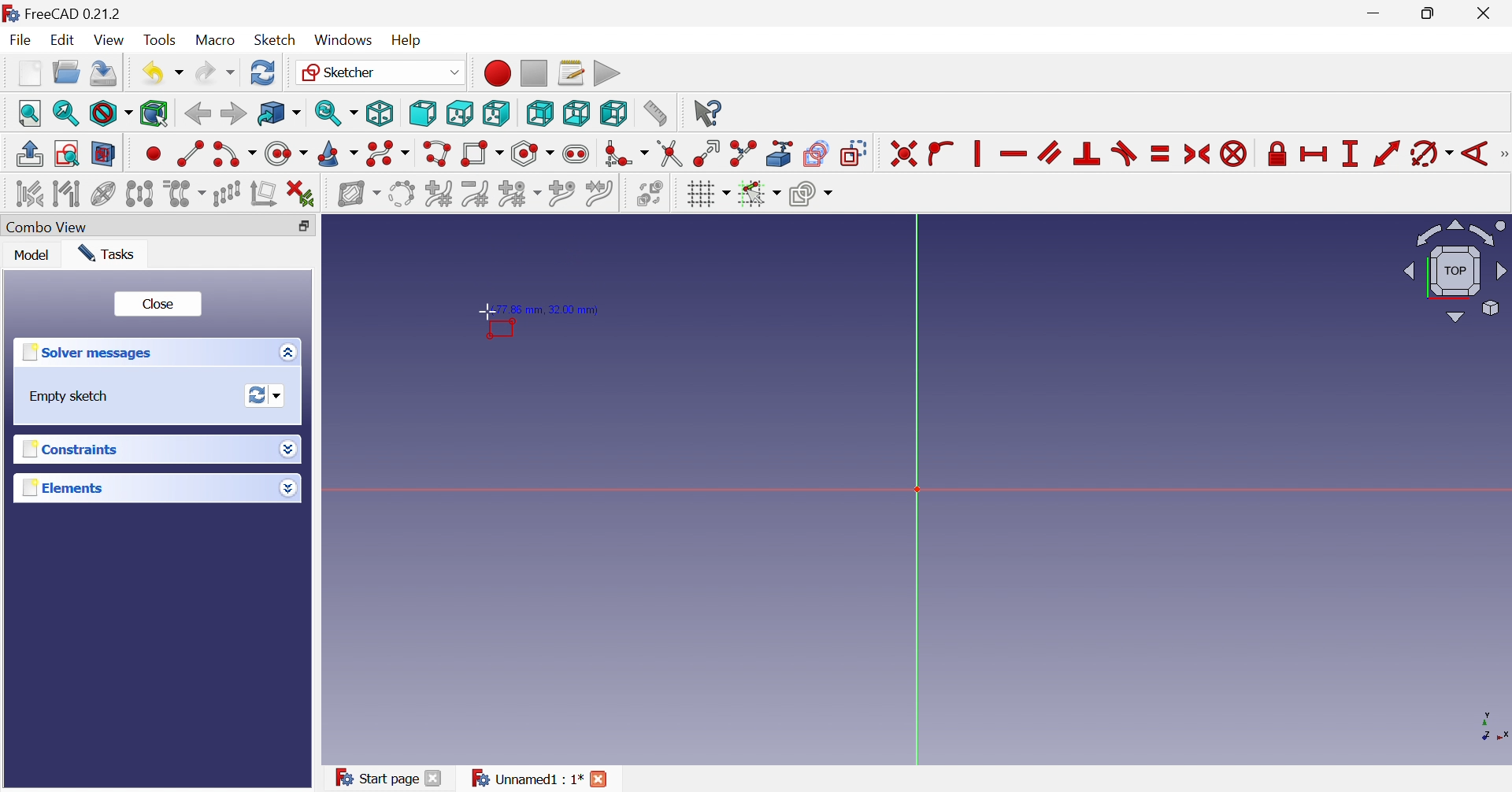 This screenshot has width=1512, height=792. I want to click on Help, so click(406, 39).